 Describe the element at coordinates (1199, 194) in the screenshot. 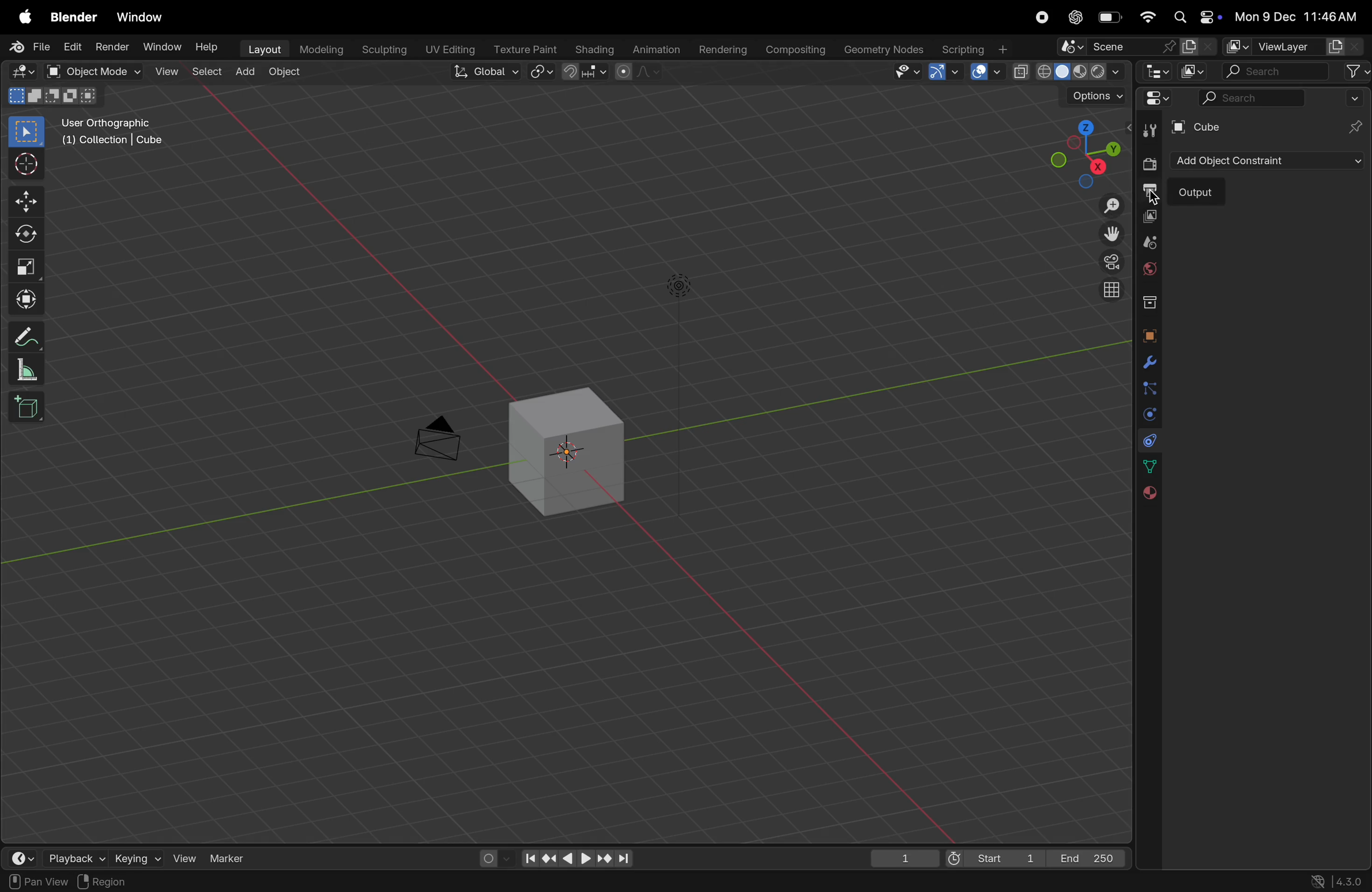

I see `output` at that location.